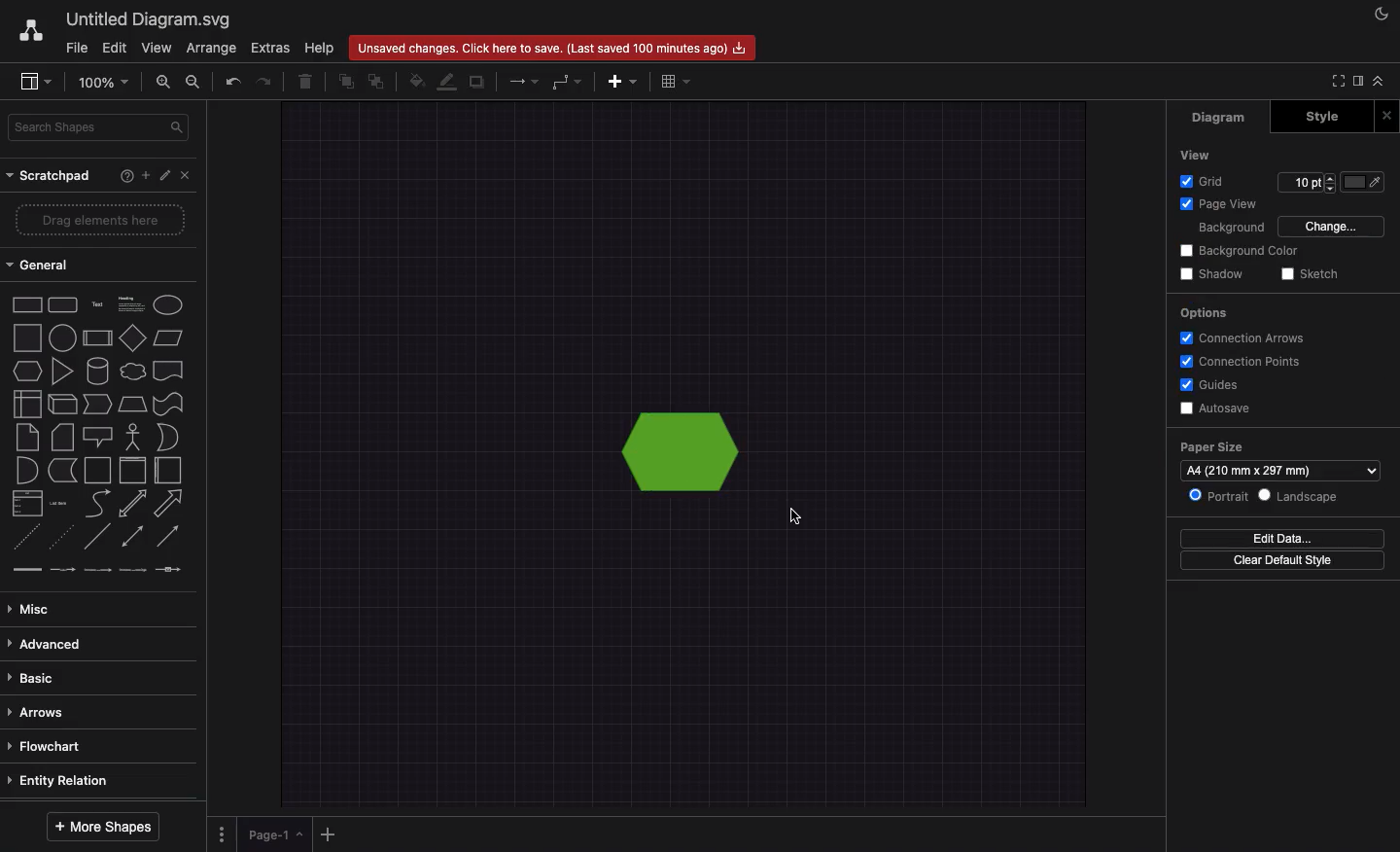 Image resolution: width=1400 pixels, height=852 pixels. I want to click on Sketch, so click(1313, 274).